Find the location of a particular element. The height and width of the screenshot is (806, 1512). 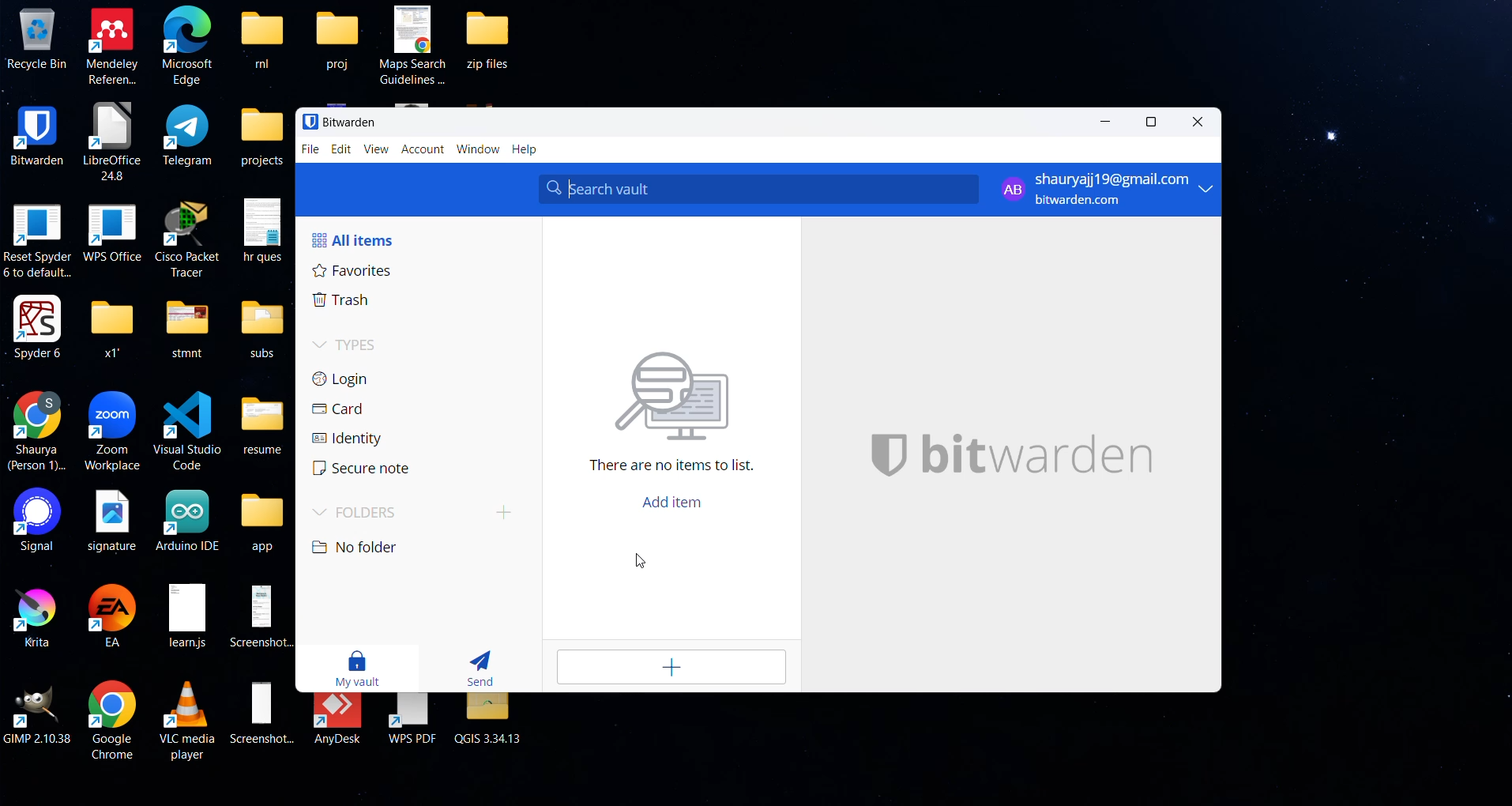

Spyder 6 is located at coordinates (38, 326).